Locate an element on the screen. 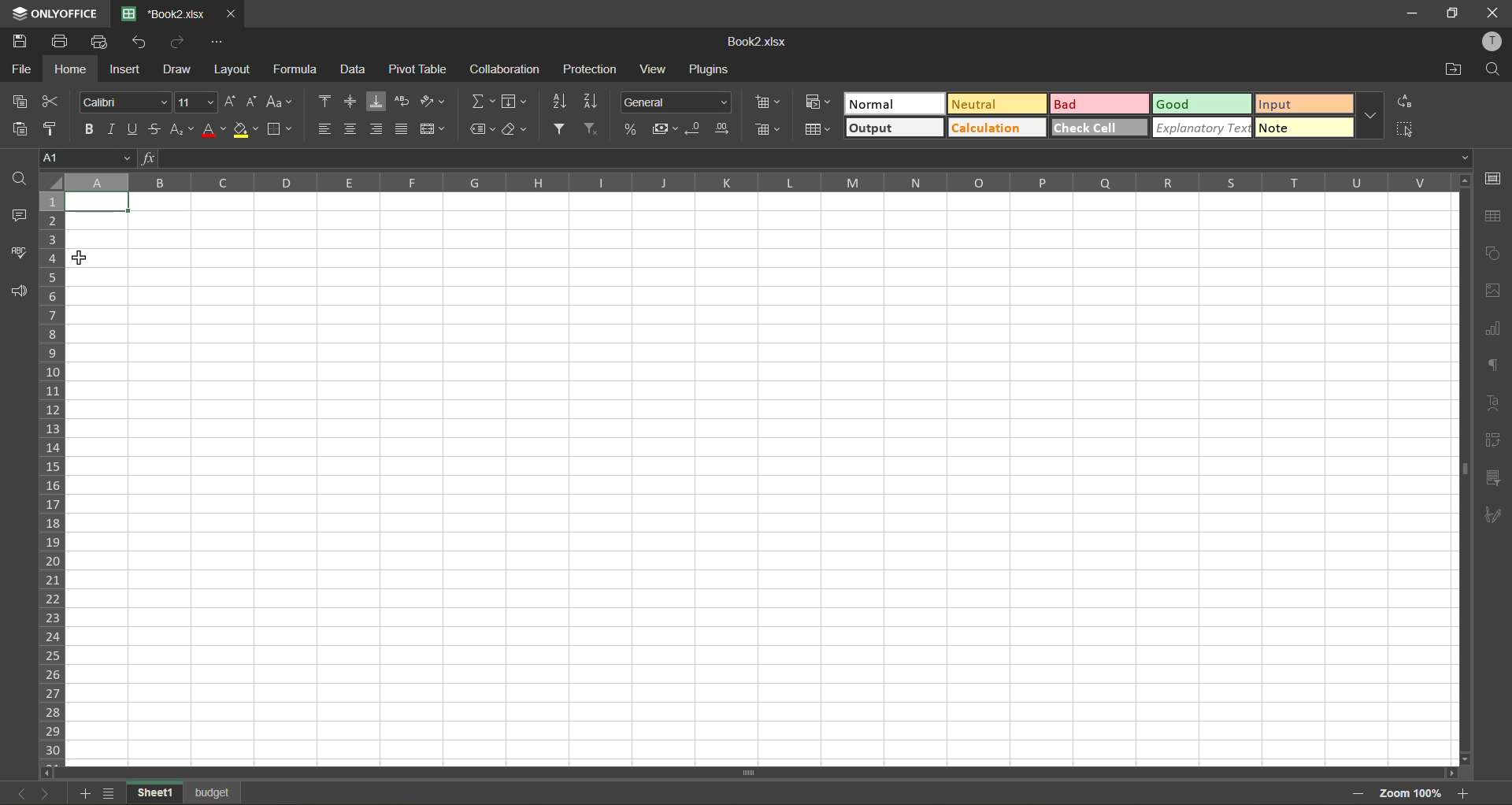  filter is located at coordinates (562, 129).